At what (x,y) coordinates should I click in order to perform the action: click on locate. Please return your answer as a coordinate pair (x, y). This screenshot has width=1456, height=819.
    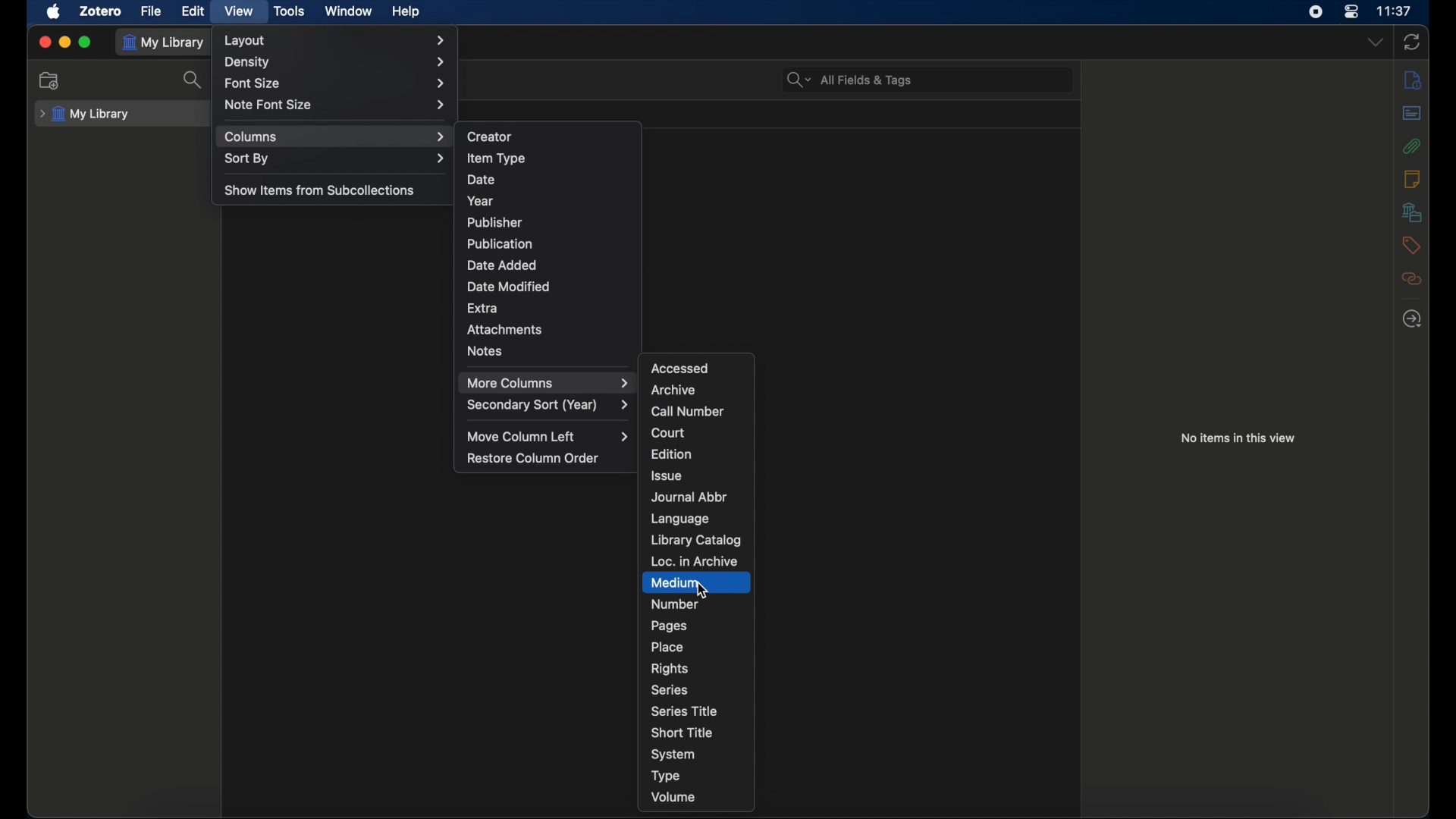
    Looking at the image, I should click on (1411, 318).